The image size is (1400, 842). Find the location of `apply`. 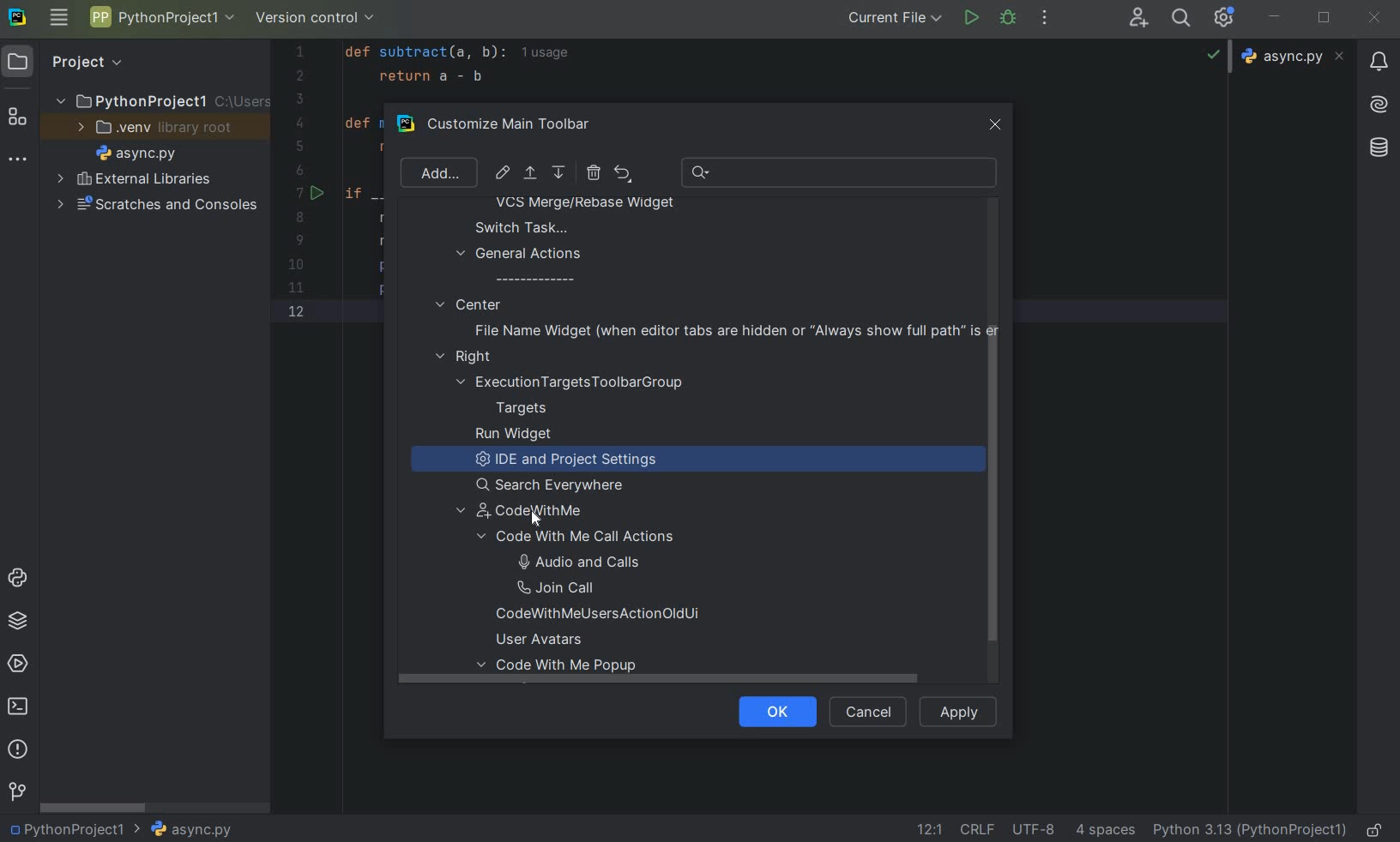

apply is located at coordinates (959, 711).